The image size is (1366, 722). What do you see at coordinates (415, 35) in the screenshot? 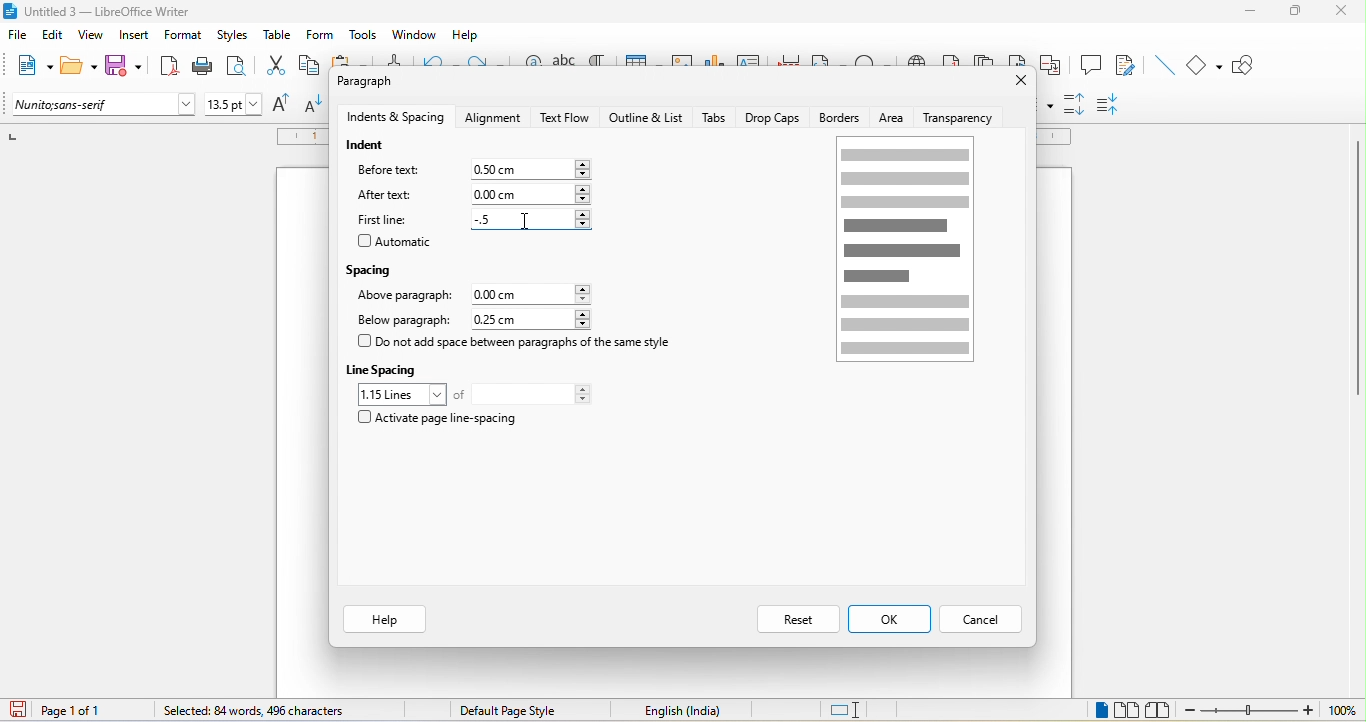
I see `window` at bounding box center [415, 35].